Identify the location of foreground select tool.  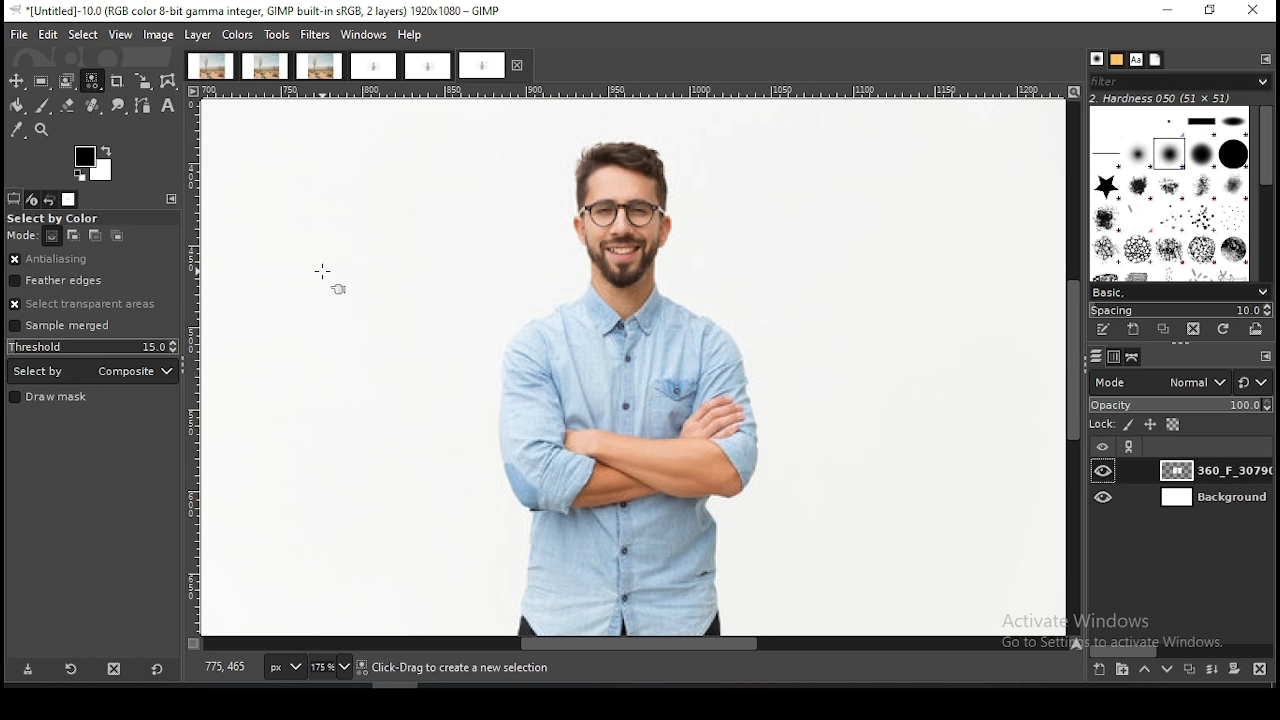
(67, 81).